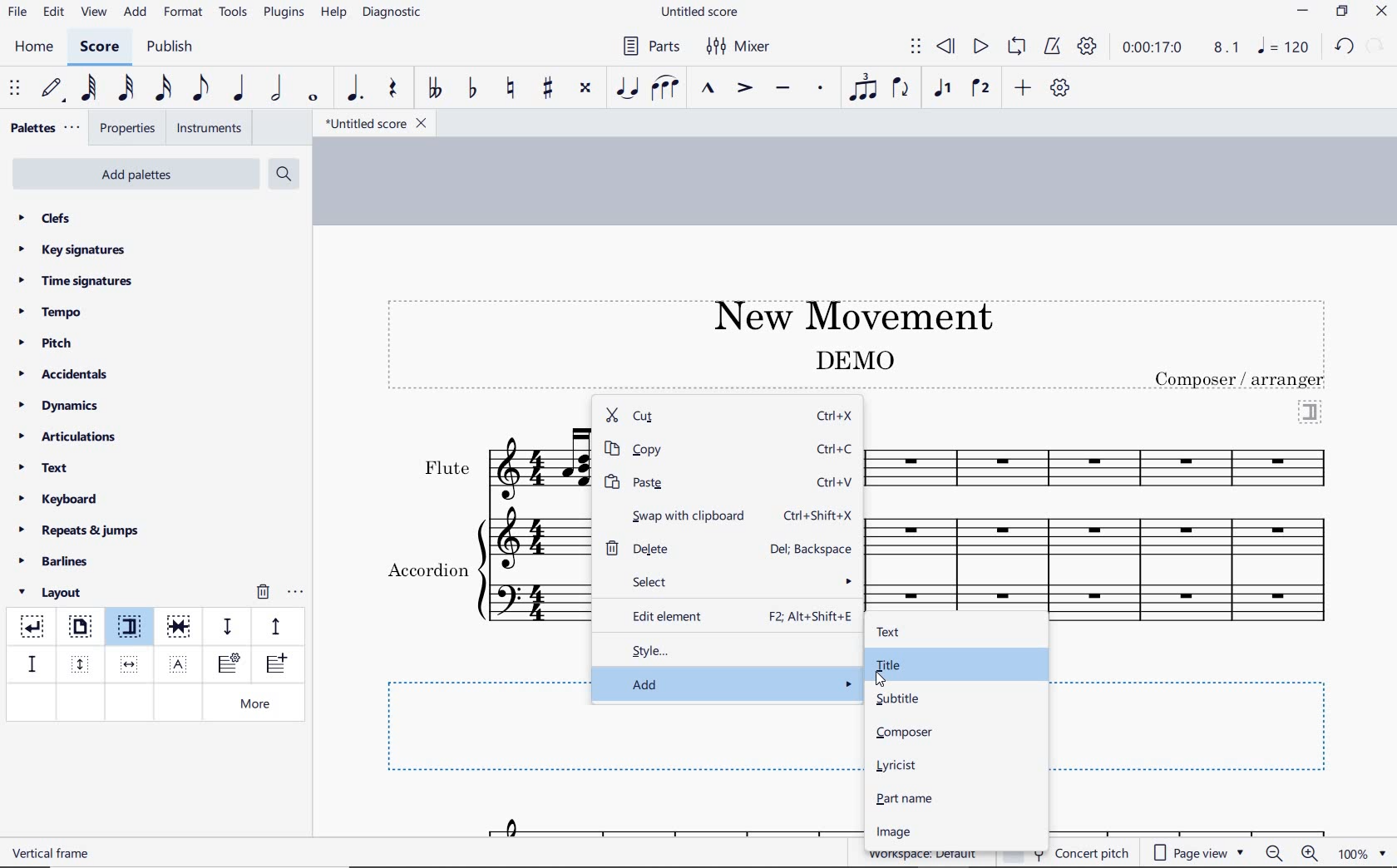 The height and width of the screenshot is (868, 1397). I want to click on restore down, so click(1343, 12).